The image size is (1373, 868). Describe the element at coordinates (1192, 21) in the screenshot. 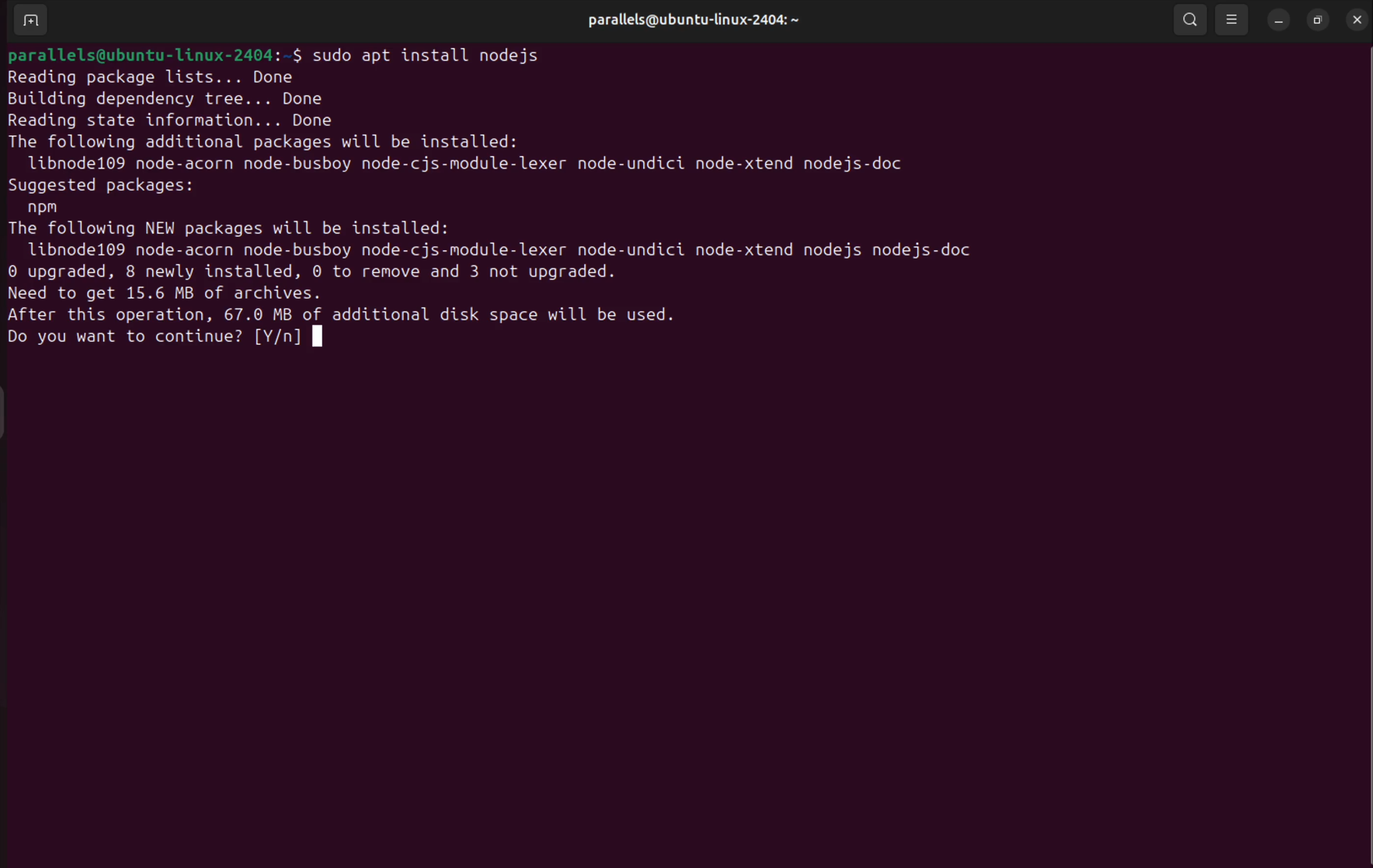

I see `search` at that location.